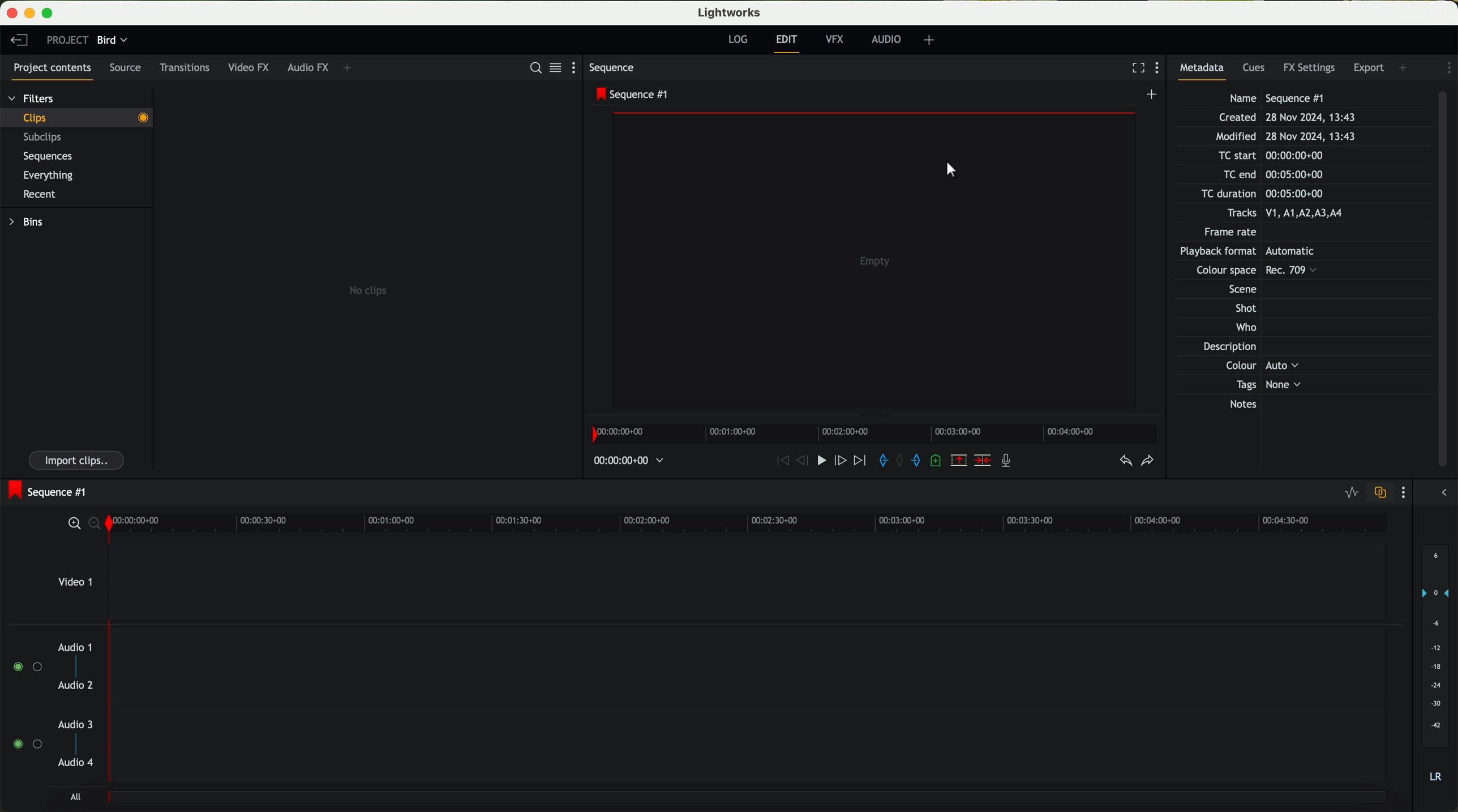 Image resolution: width=1458 pixels, height=812 pixels. What do you see at coordinates (1435, 663) in the screenshot?
I see `numbers` at bounding box center [1435, 663].